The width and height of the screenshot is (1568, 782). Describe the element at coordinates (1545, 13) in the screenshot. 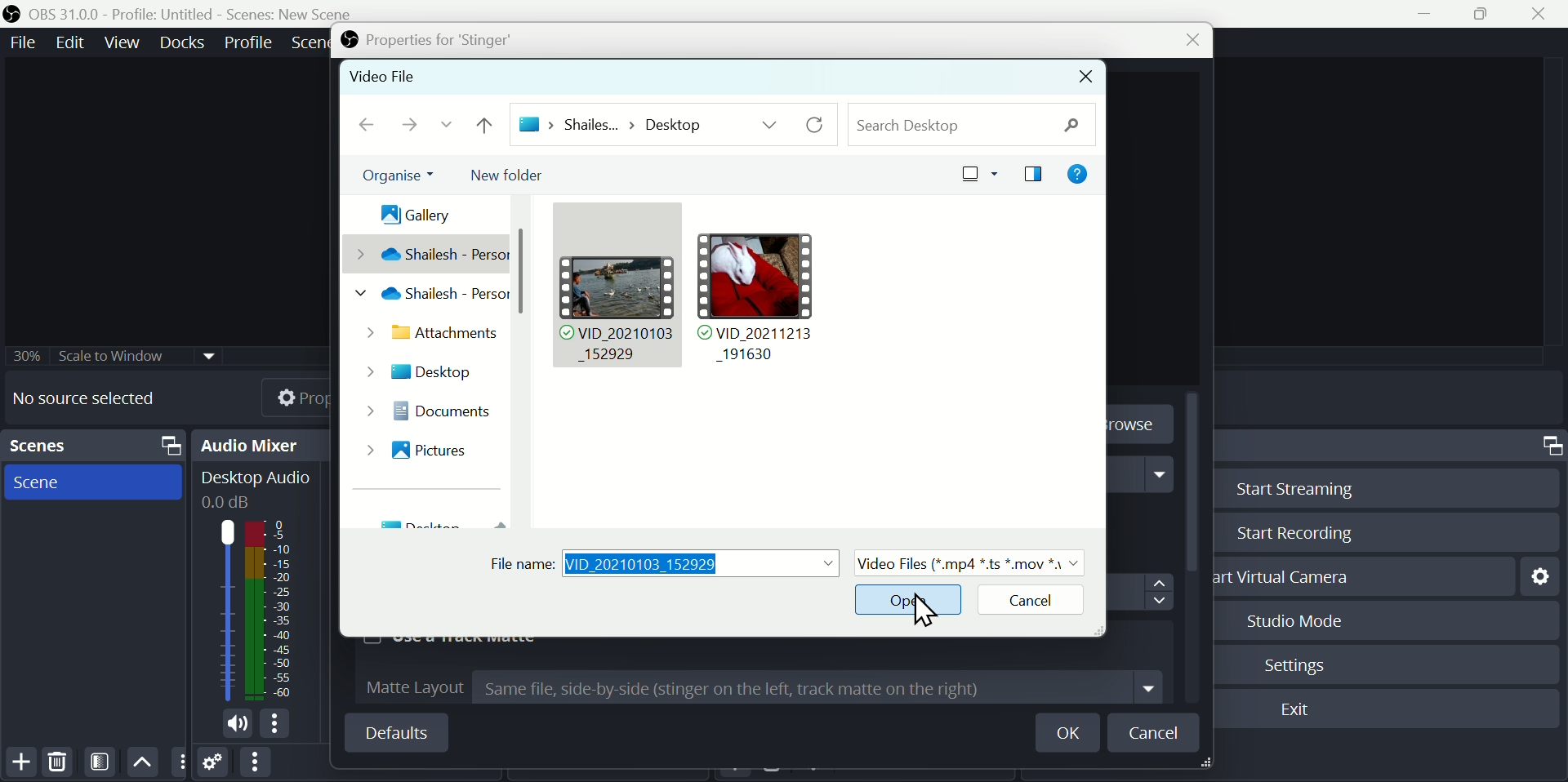

I see `Close` at that location.